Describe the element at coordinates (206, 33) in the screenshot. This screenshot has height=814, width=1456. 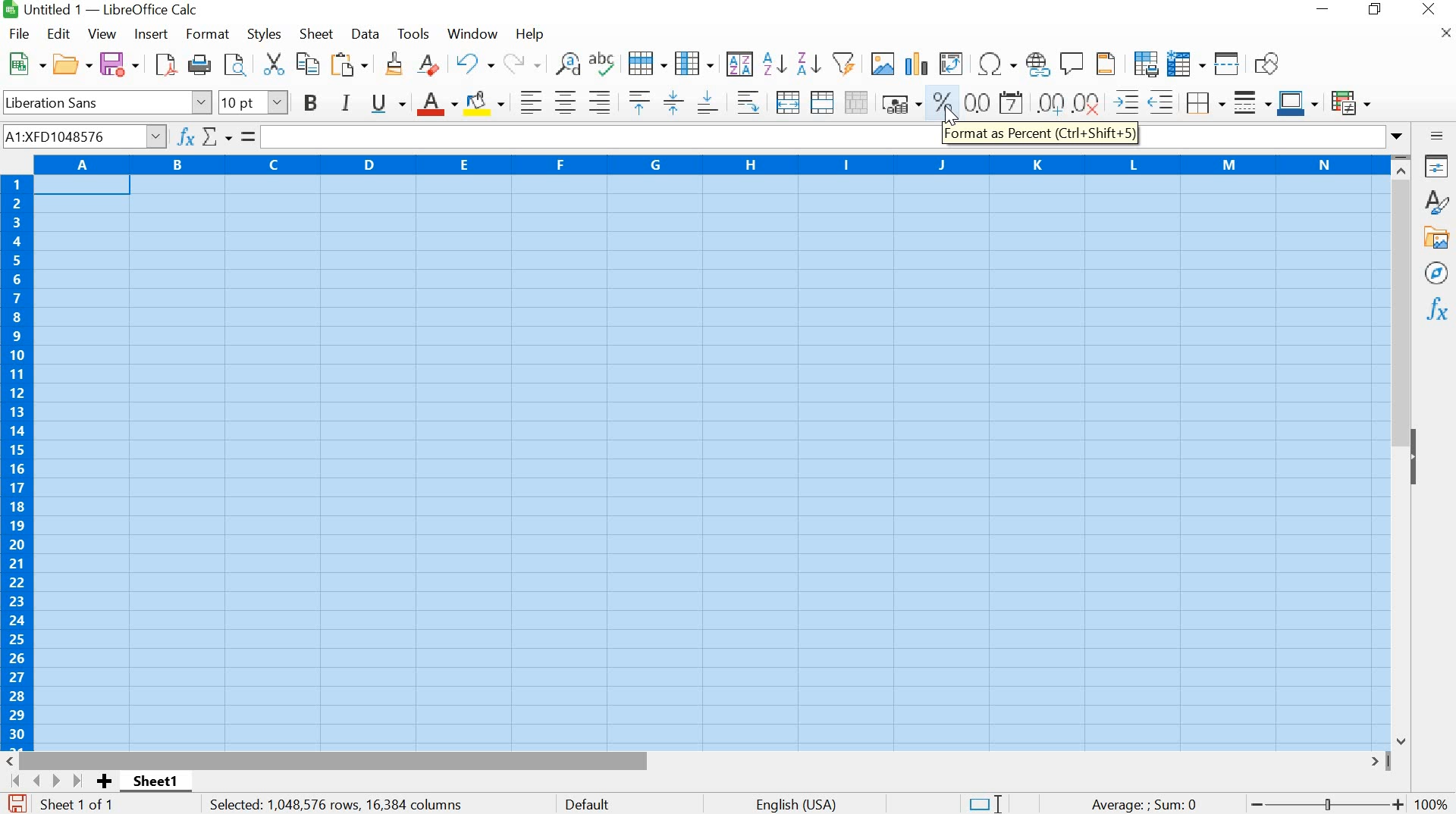
I see `FORMAT` at that location.